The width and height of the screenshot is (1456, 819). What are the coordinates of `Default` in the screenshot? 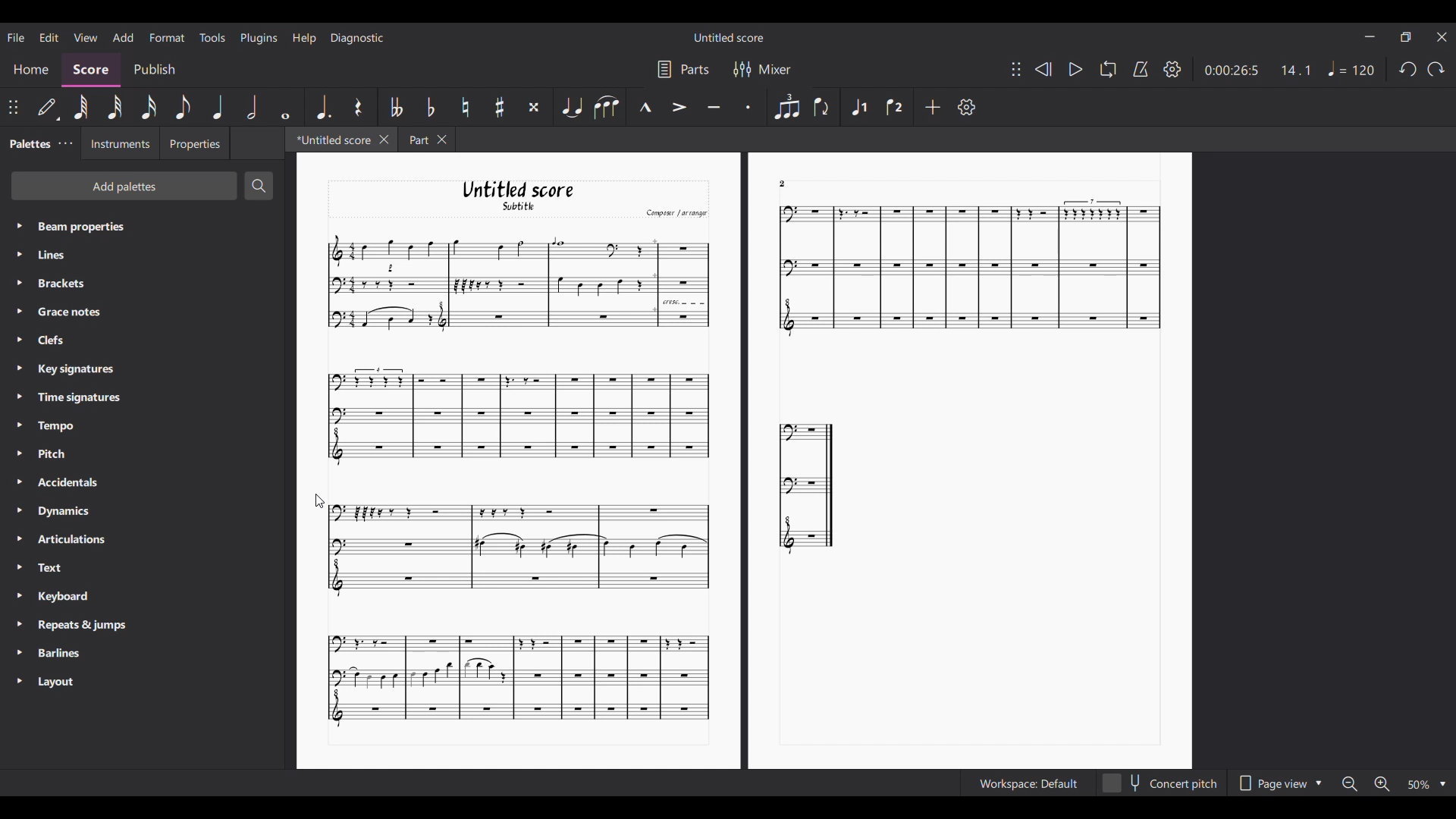 It's located at (48, 110).